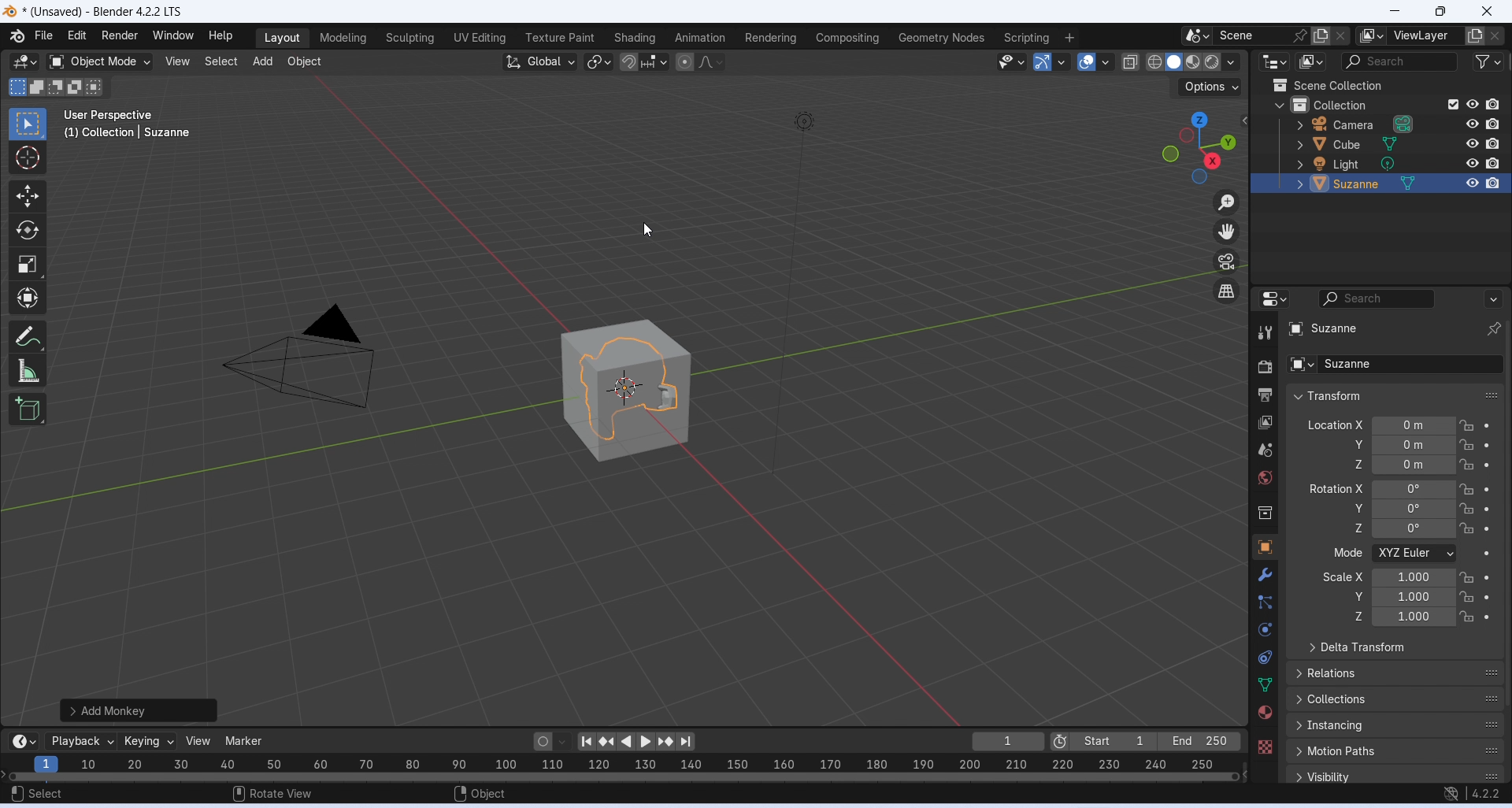 This screenshot has width=1512, height=808. I want to click on UV editing, so click(479, 37).